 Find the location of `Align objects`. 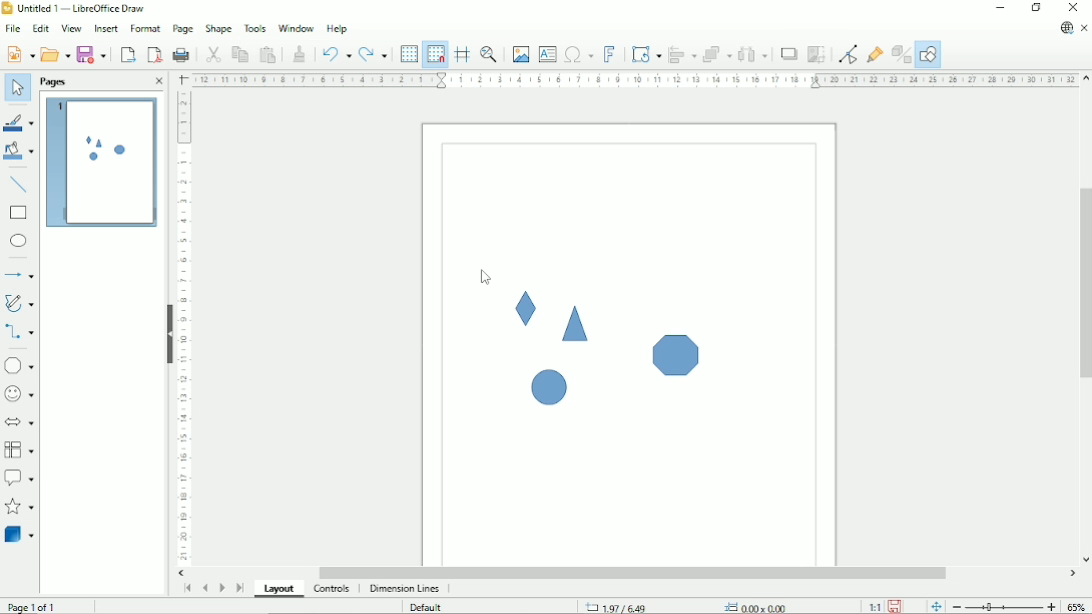

Align objects is located at coordinates (681, 54).